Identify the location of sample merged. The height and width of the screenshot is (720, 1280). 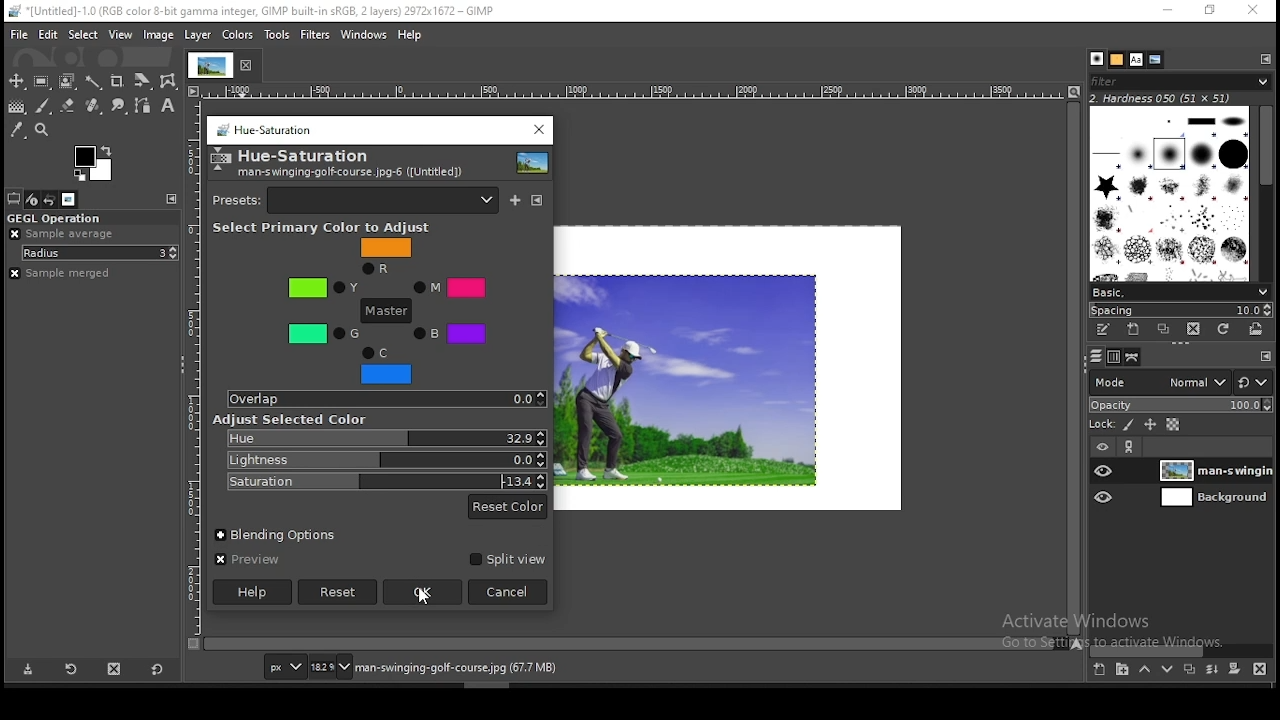
(63, 273).